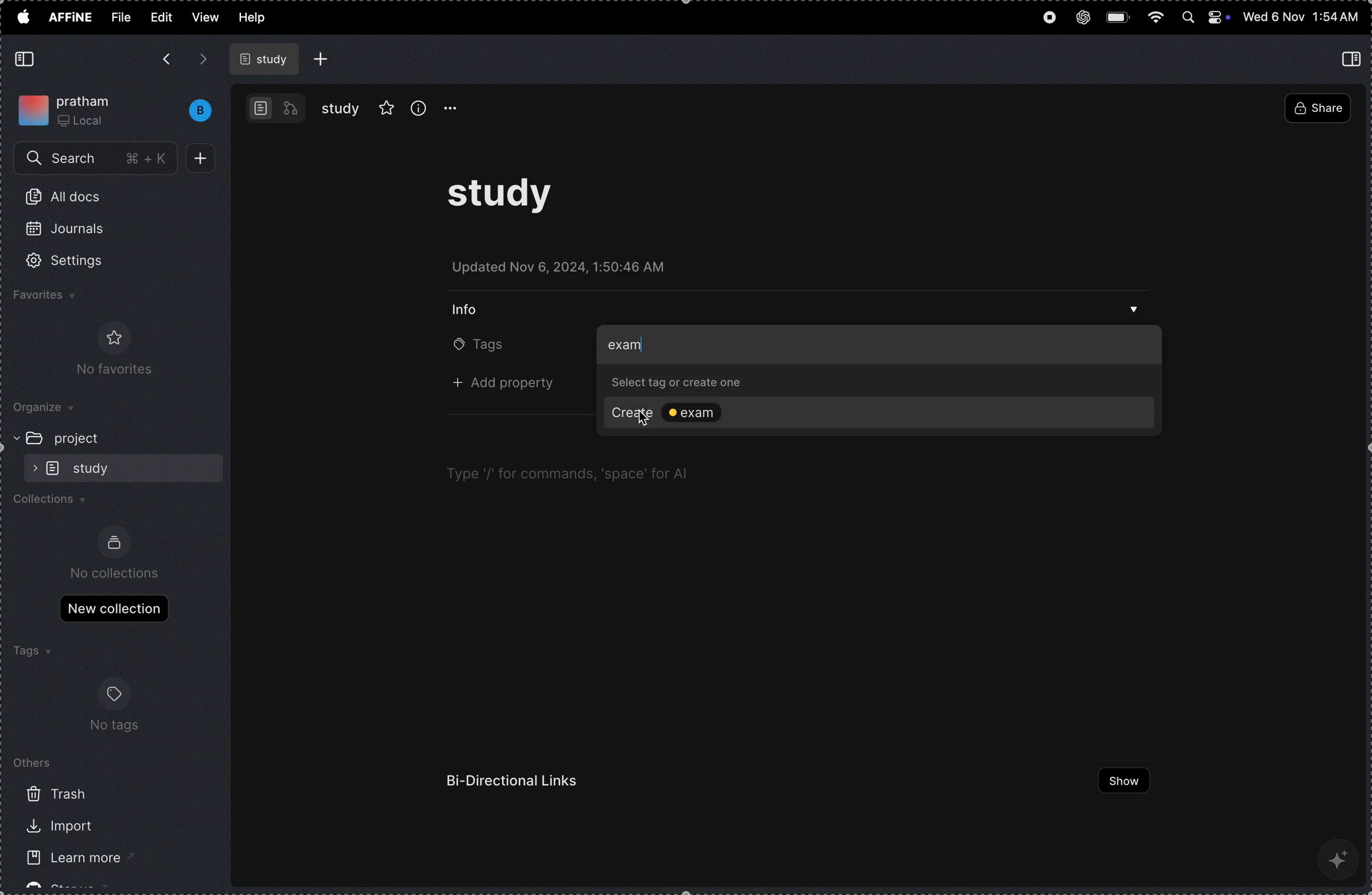 The height and width of the screenshot is (895, 1372). I want to click on updated, so click(569, 270).